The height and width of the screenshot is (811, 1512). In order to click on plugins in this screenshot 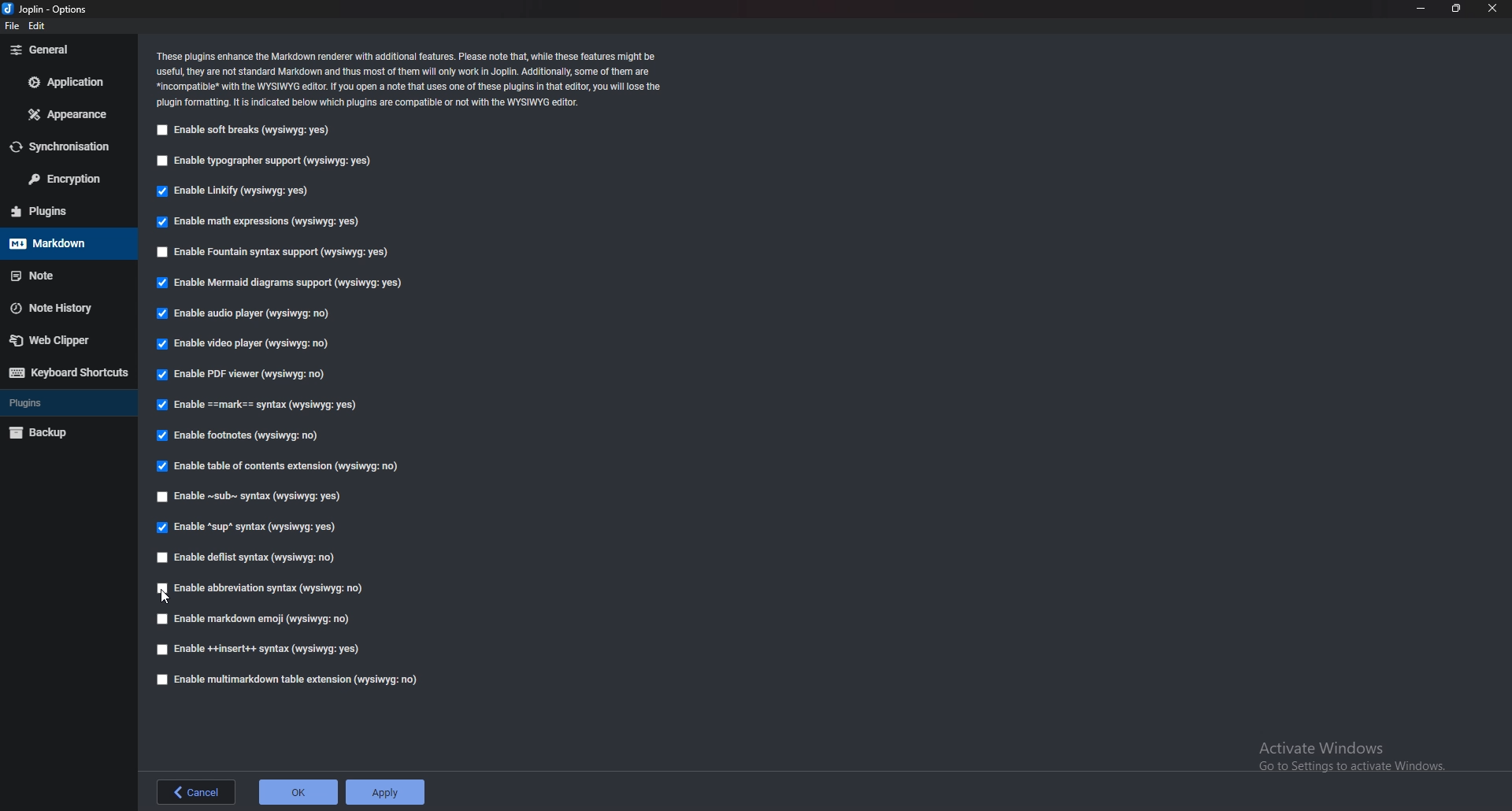, I will do `click(65, 210)`.